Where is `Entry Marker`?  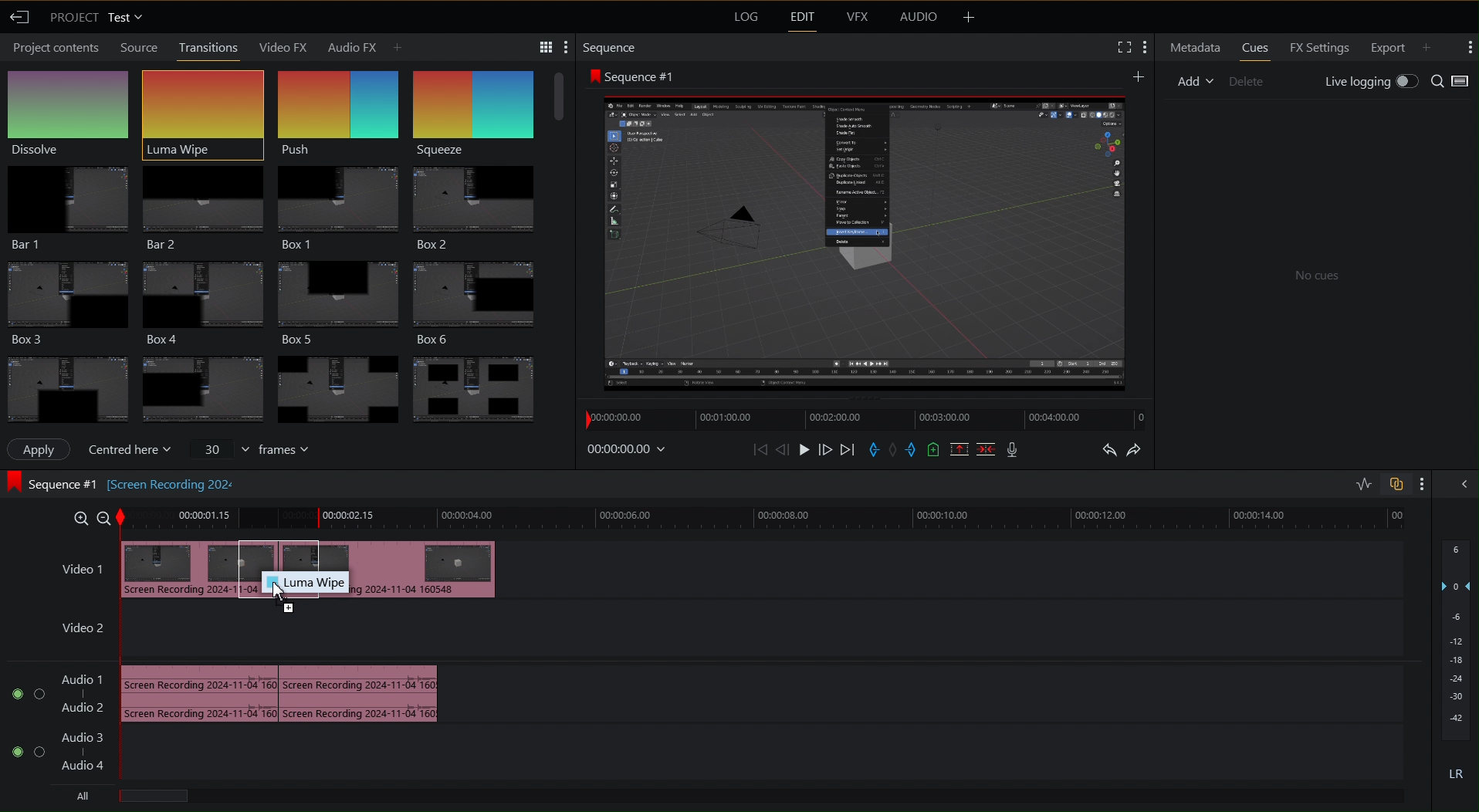
Entry Marker is located at coordinates (873, 450).